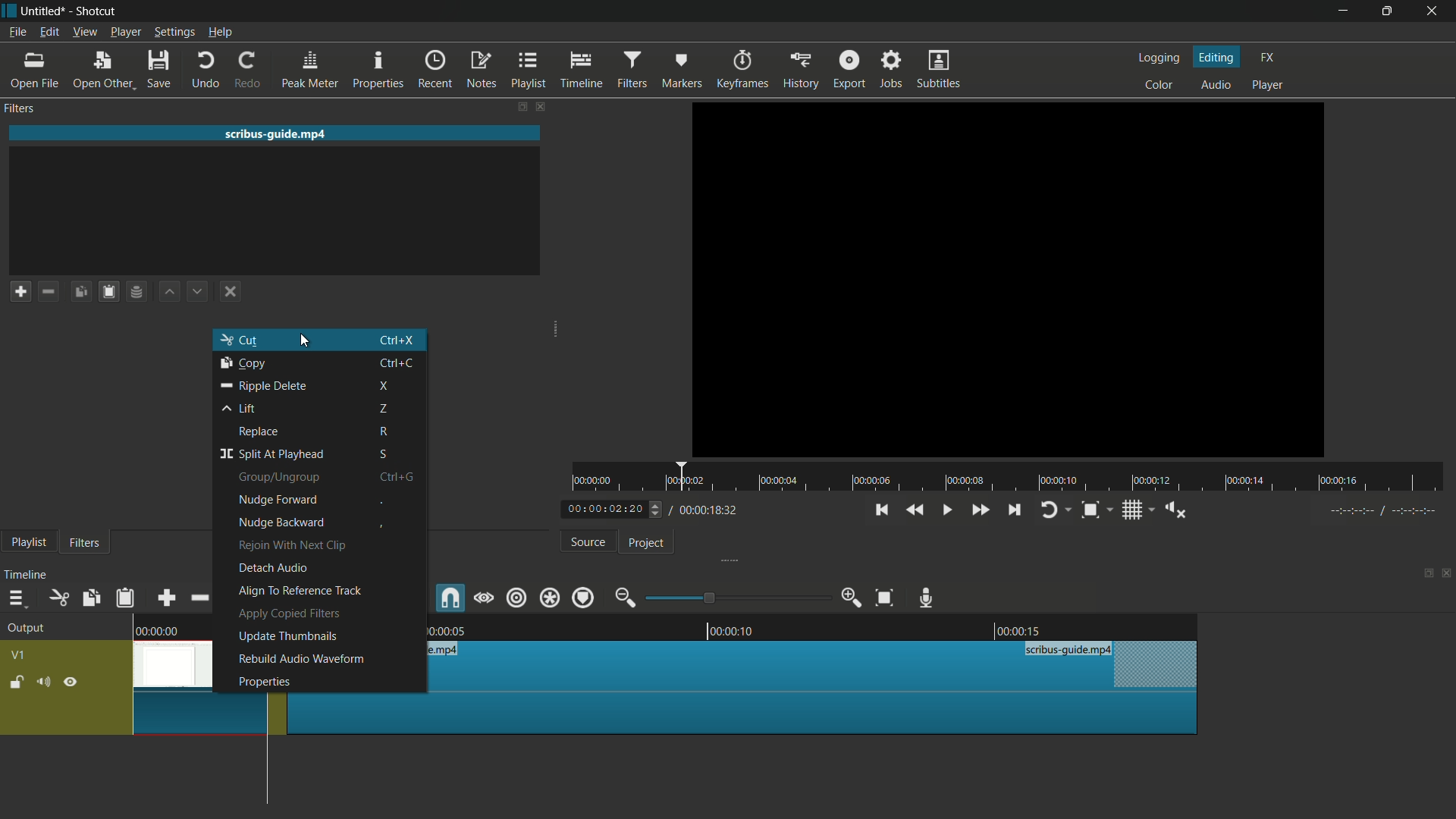 The image size is (1456, 819). Describe the element at coordinates (396, 362) in the screenshot. I see `keyboard shortcut` at that location.